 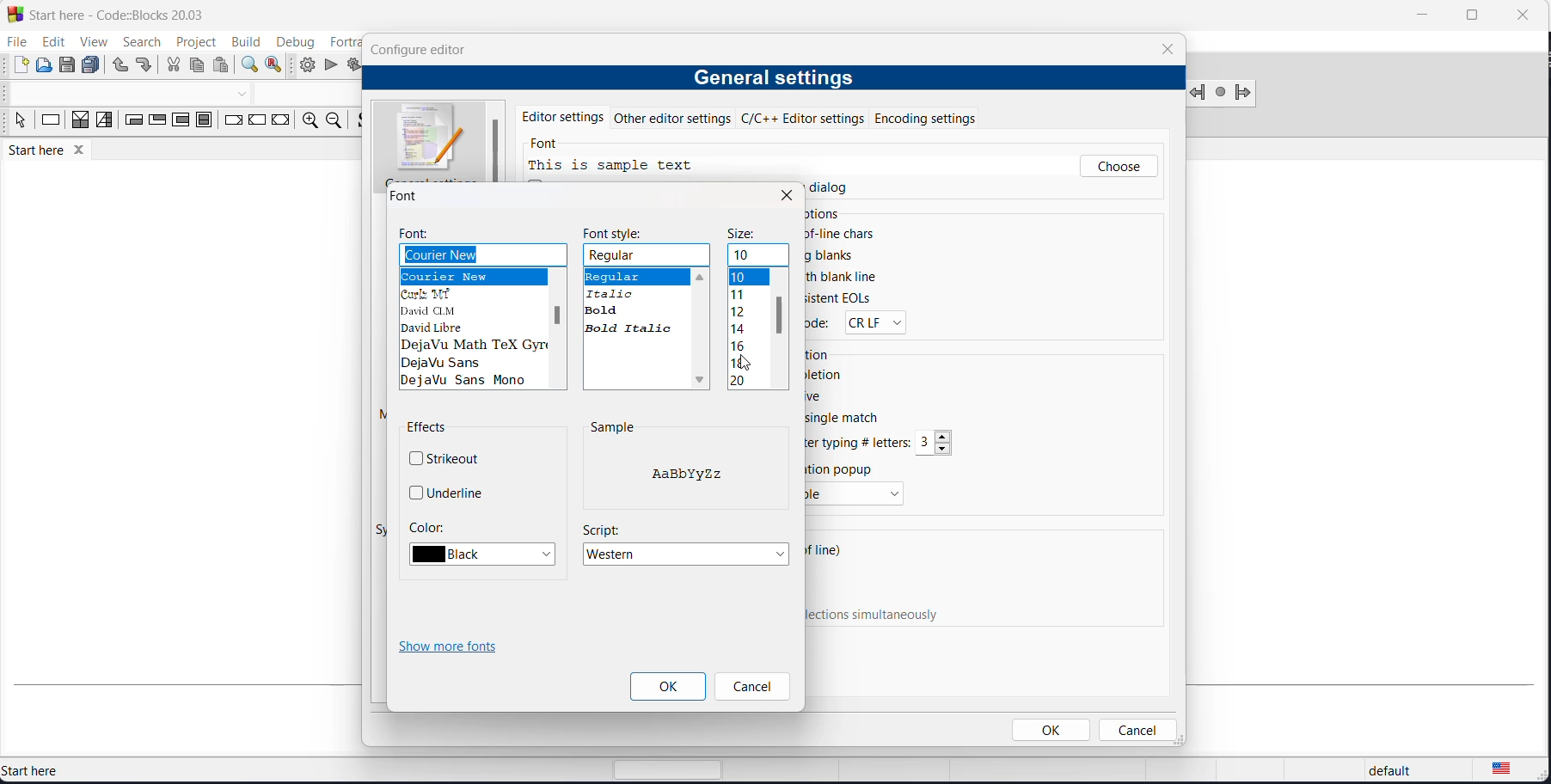 What do you see at coordinates (430, 138) in the screenshot?
I see `Icon` at bounding box center [430, 138].